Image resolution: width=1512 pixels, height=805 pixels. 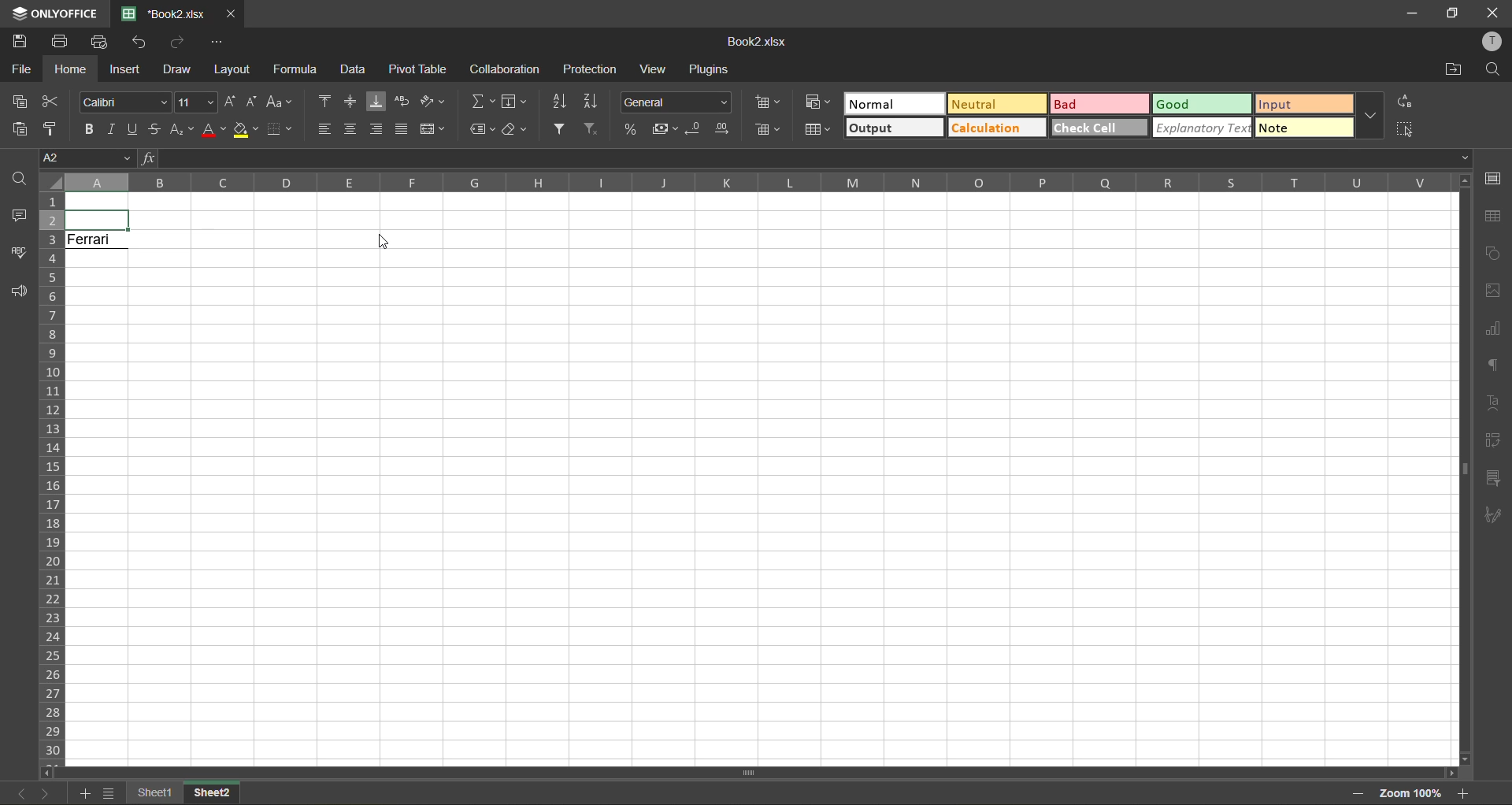 I want to click on calculation, so click(x=994, y=129).